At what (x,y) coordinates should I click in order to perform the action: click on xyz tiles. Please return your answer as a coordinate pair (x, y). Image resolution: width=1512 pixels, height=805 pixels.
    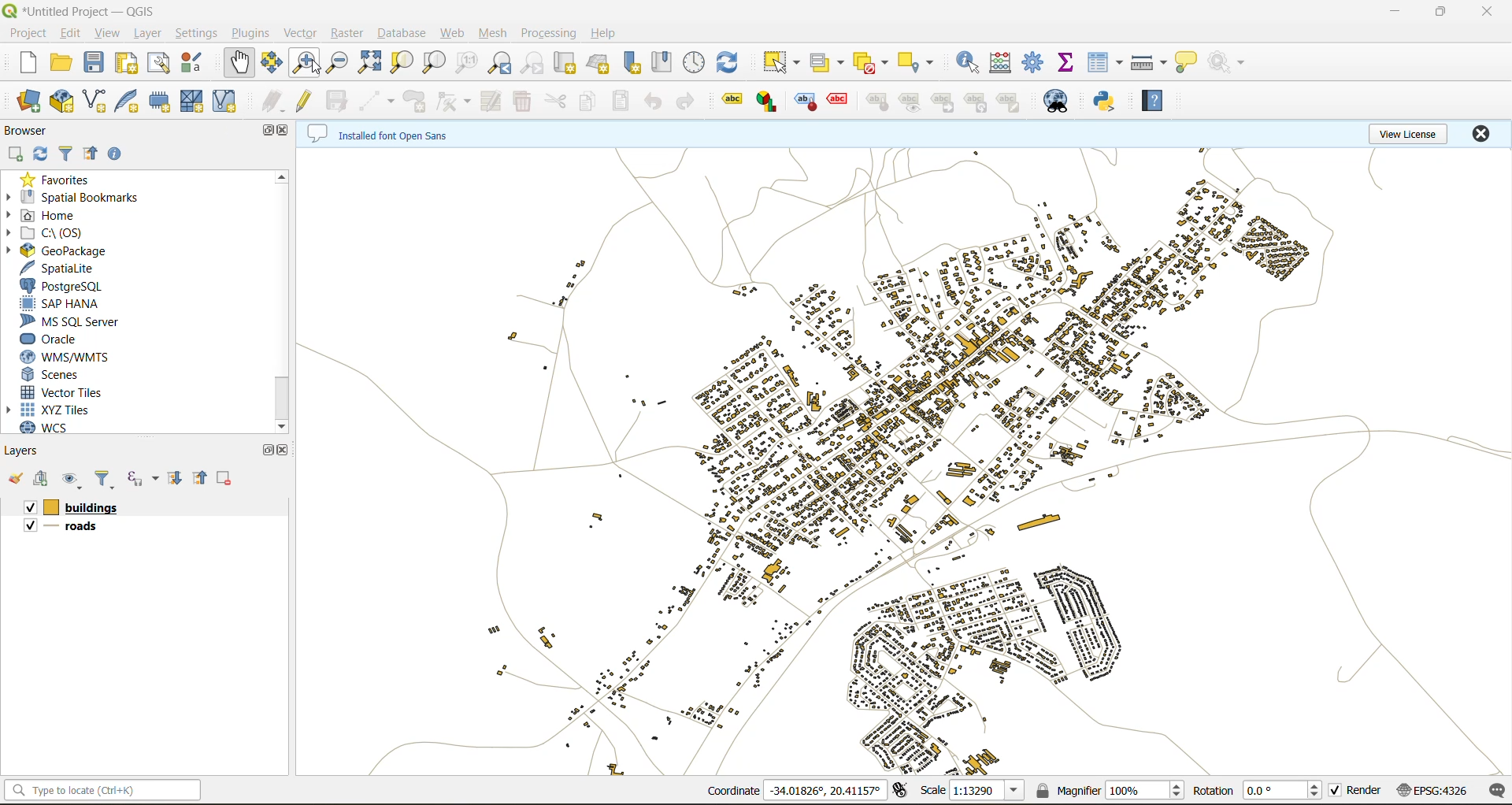
    Looking at the image, I should click on (66, 410).